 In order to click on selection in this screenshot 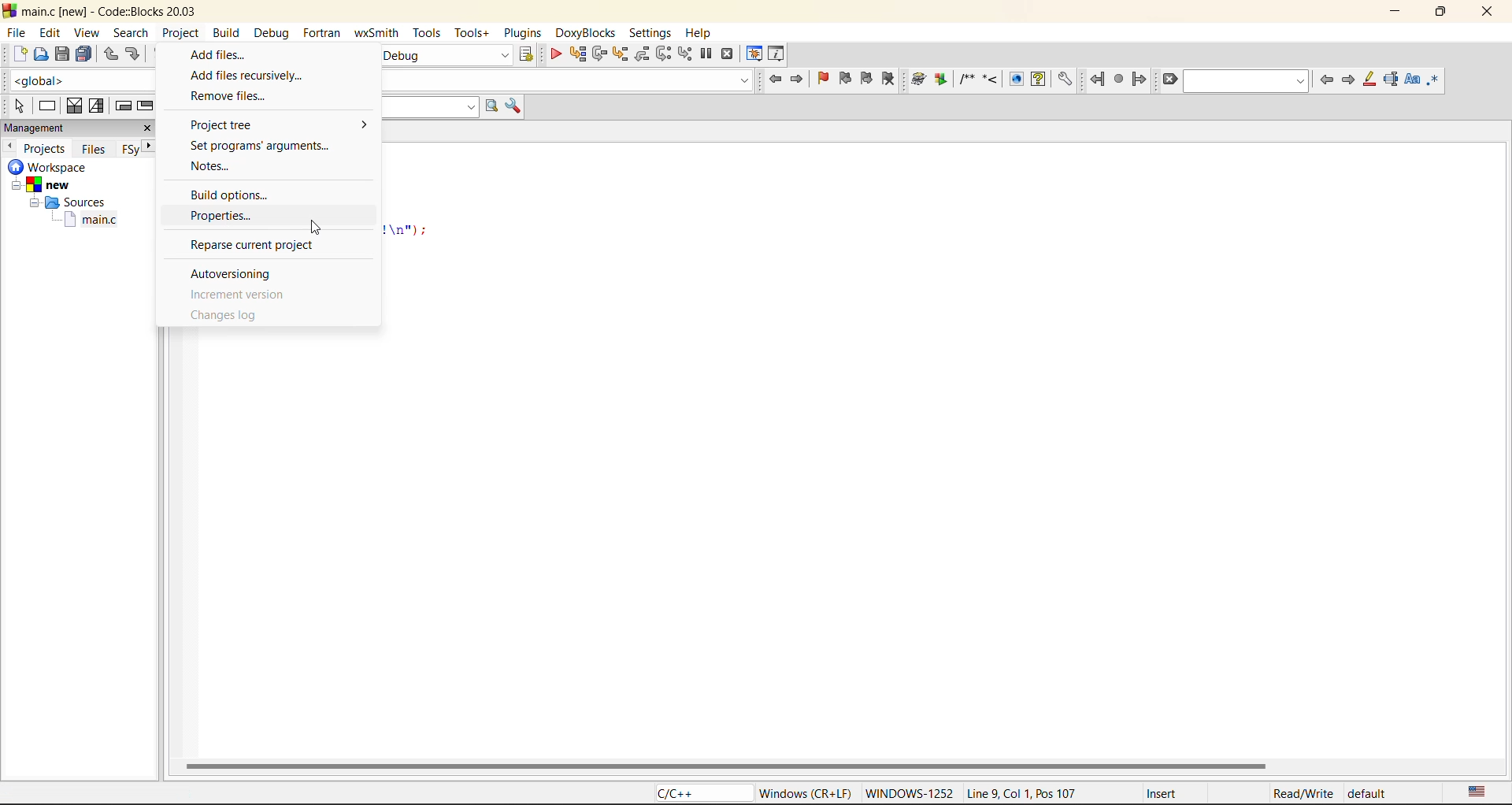, I will do `click(98, 106)`.